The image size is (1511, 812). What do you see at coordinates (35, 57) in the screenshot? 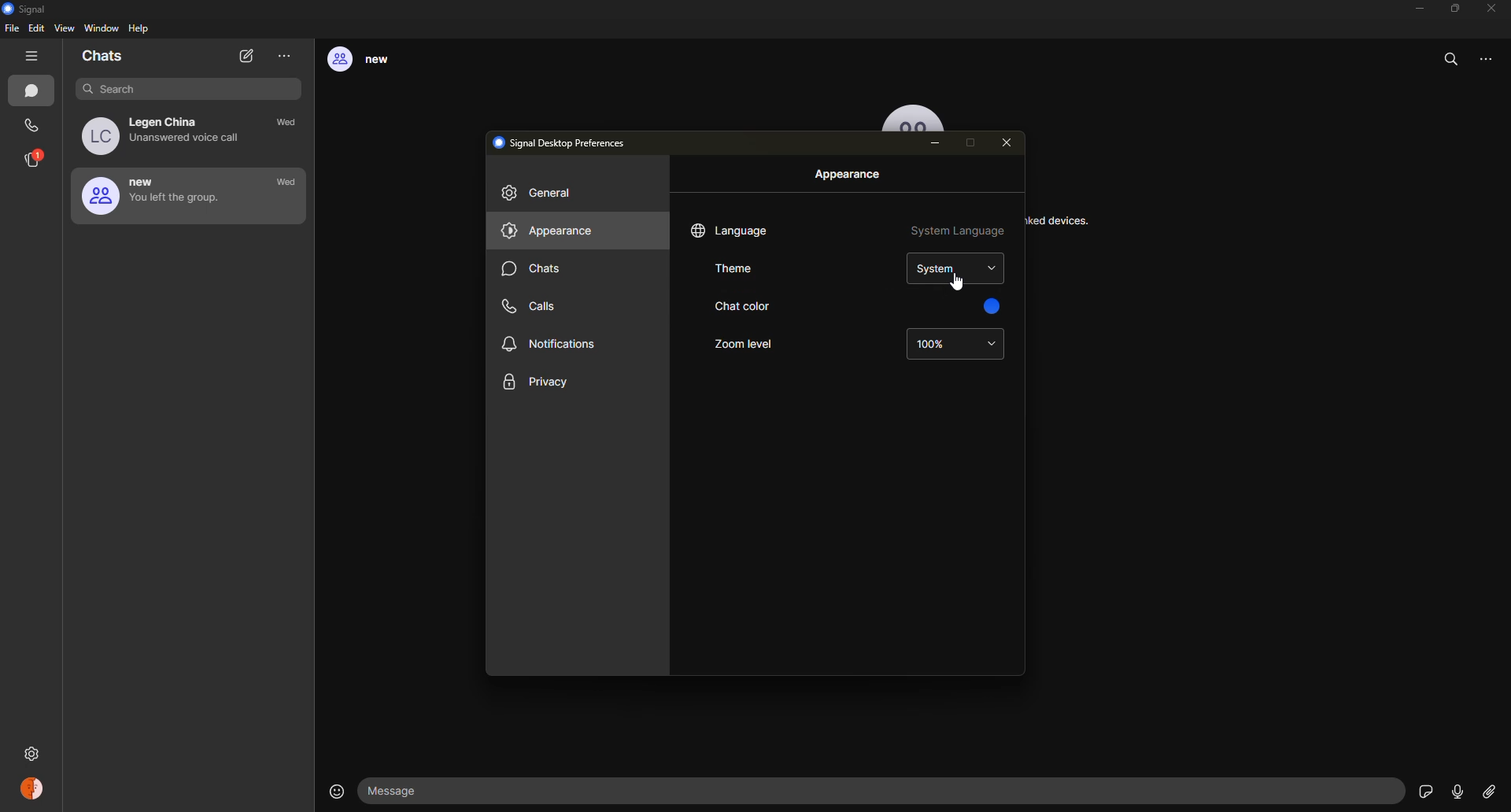
I see `hide tabs` at bounding box center [35, 57].